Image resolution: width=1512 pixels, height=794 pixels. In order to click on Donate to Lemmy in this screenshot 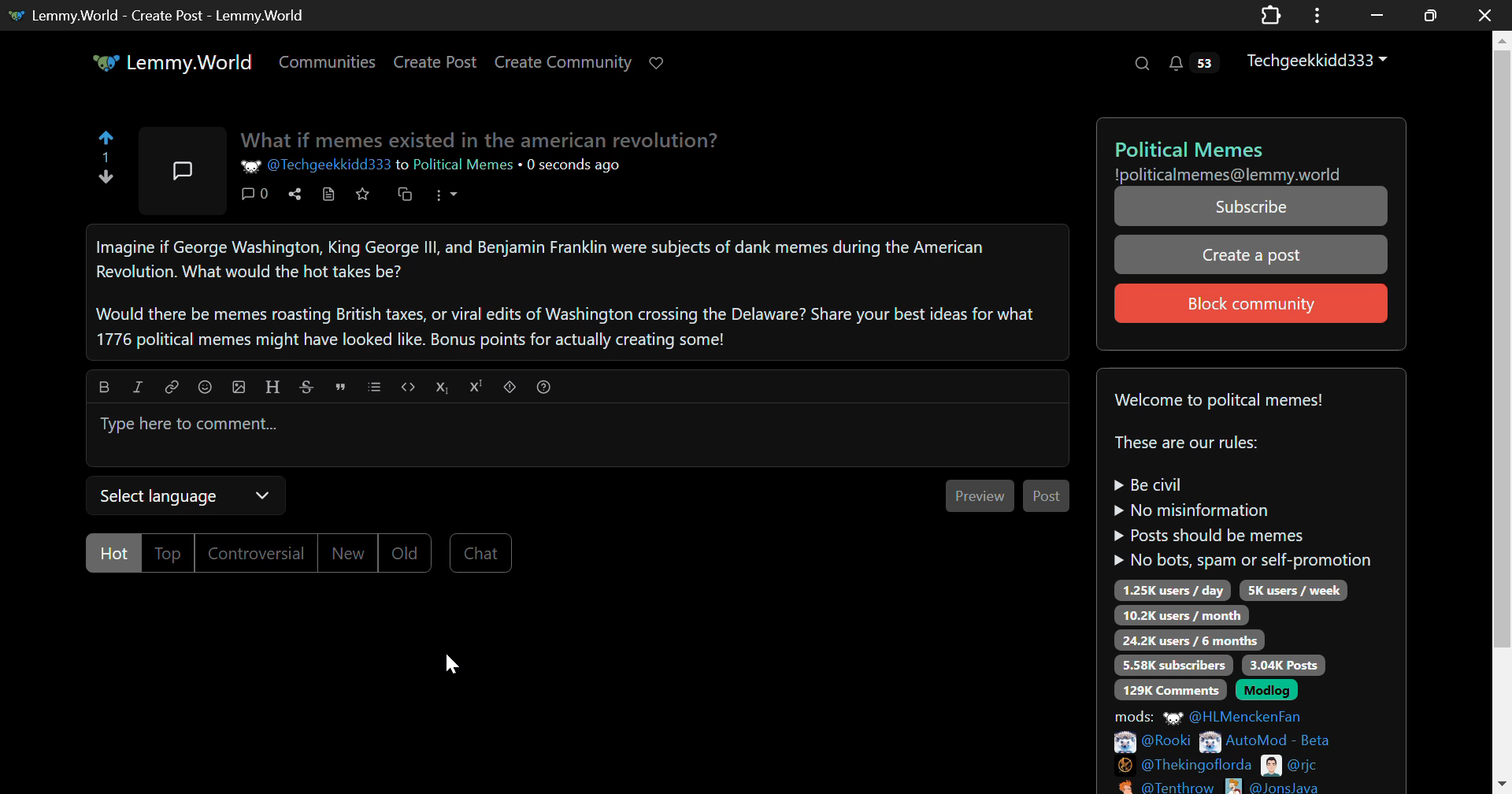, I will do `click(660, 61)`.